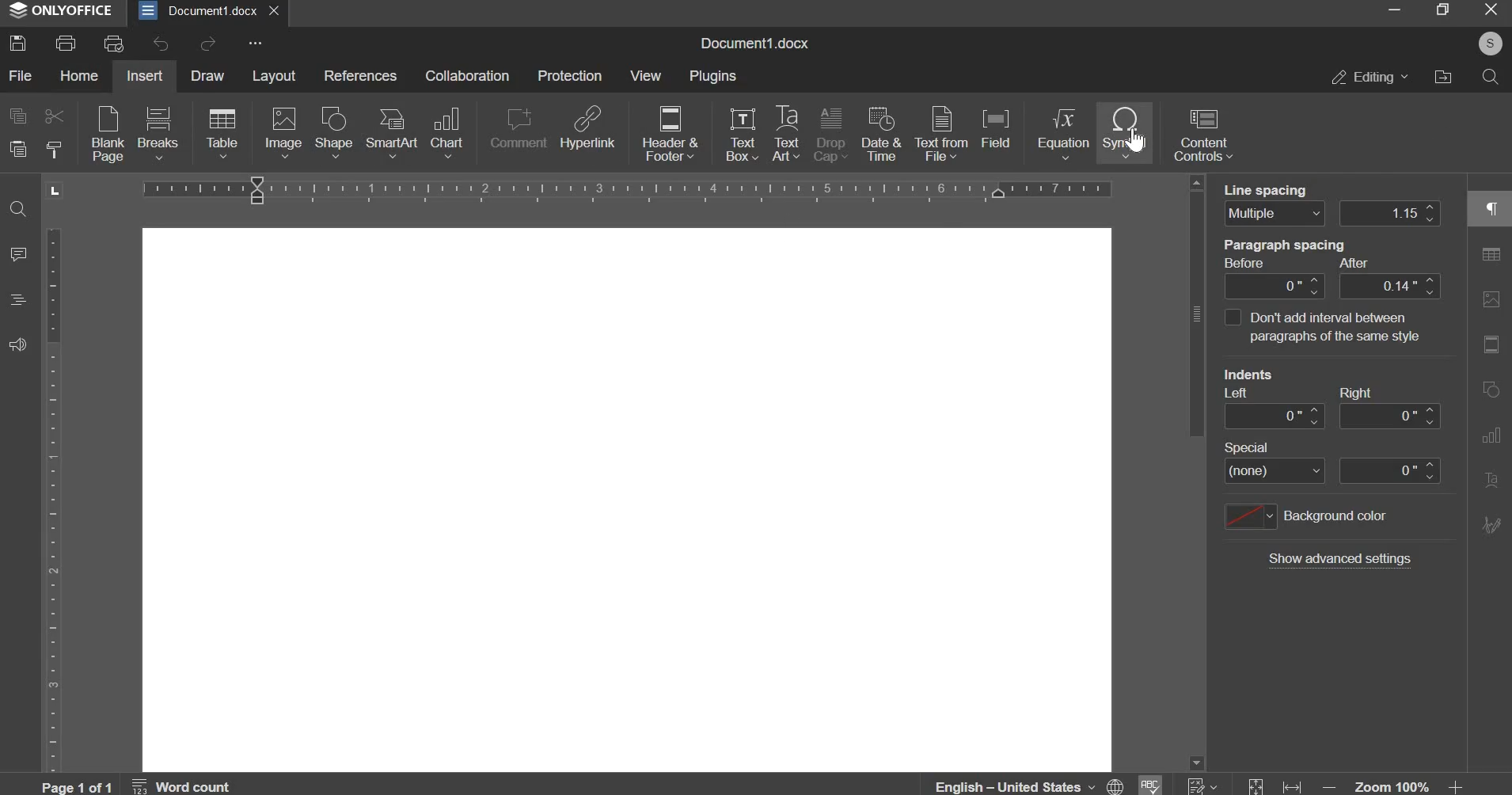  I want to click on print, so click(64, 43).